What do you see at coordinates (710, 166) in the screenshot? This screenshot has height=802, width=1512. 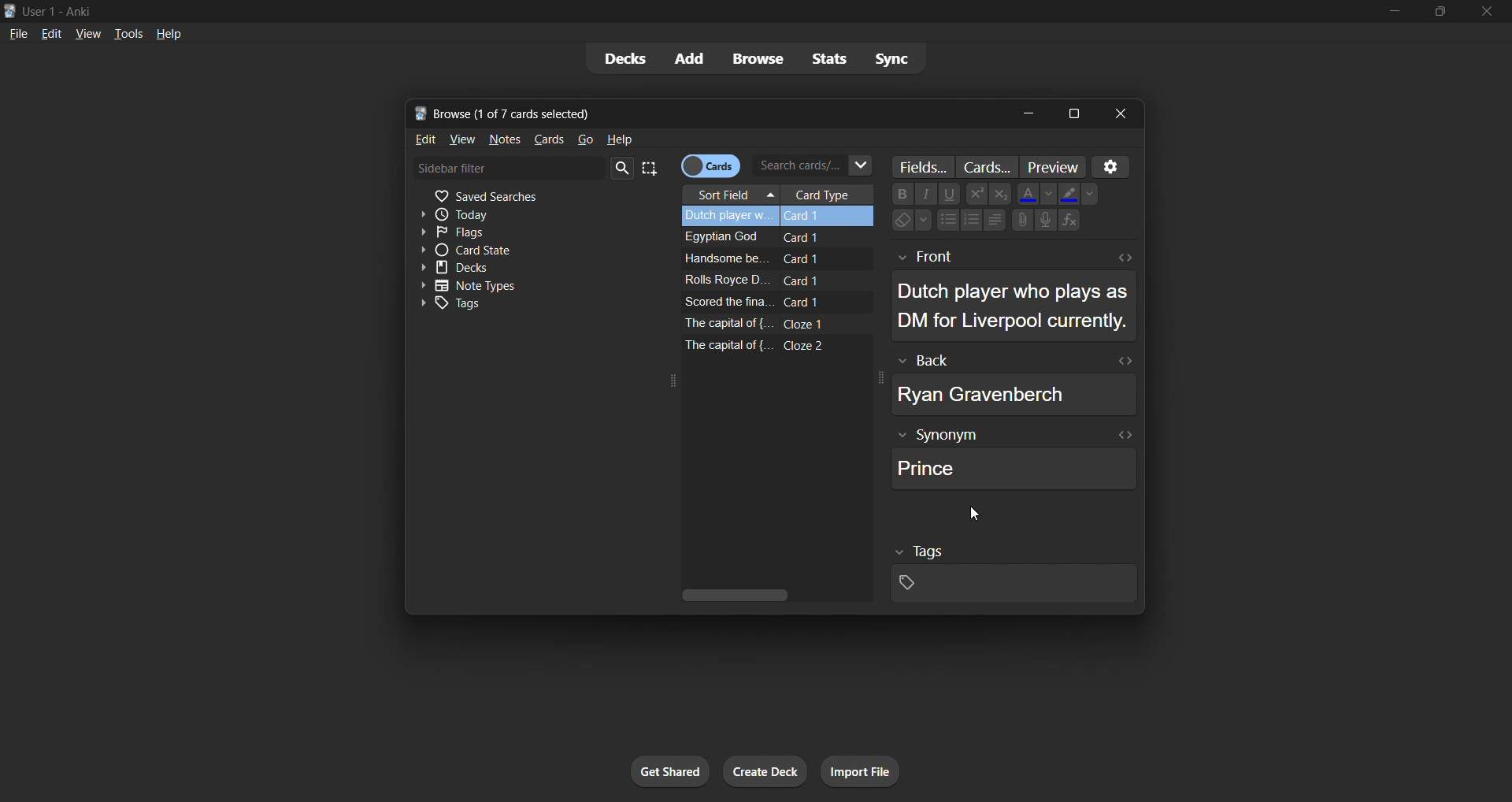 I see `cards/notes toggle` at bounding box center [710, 166].